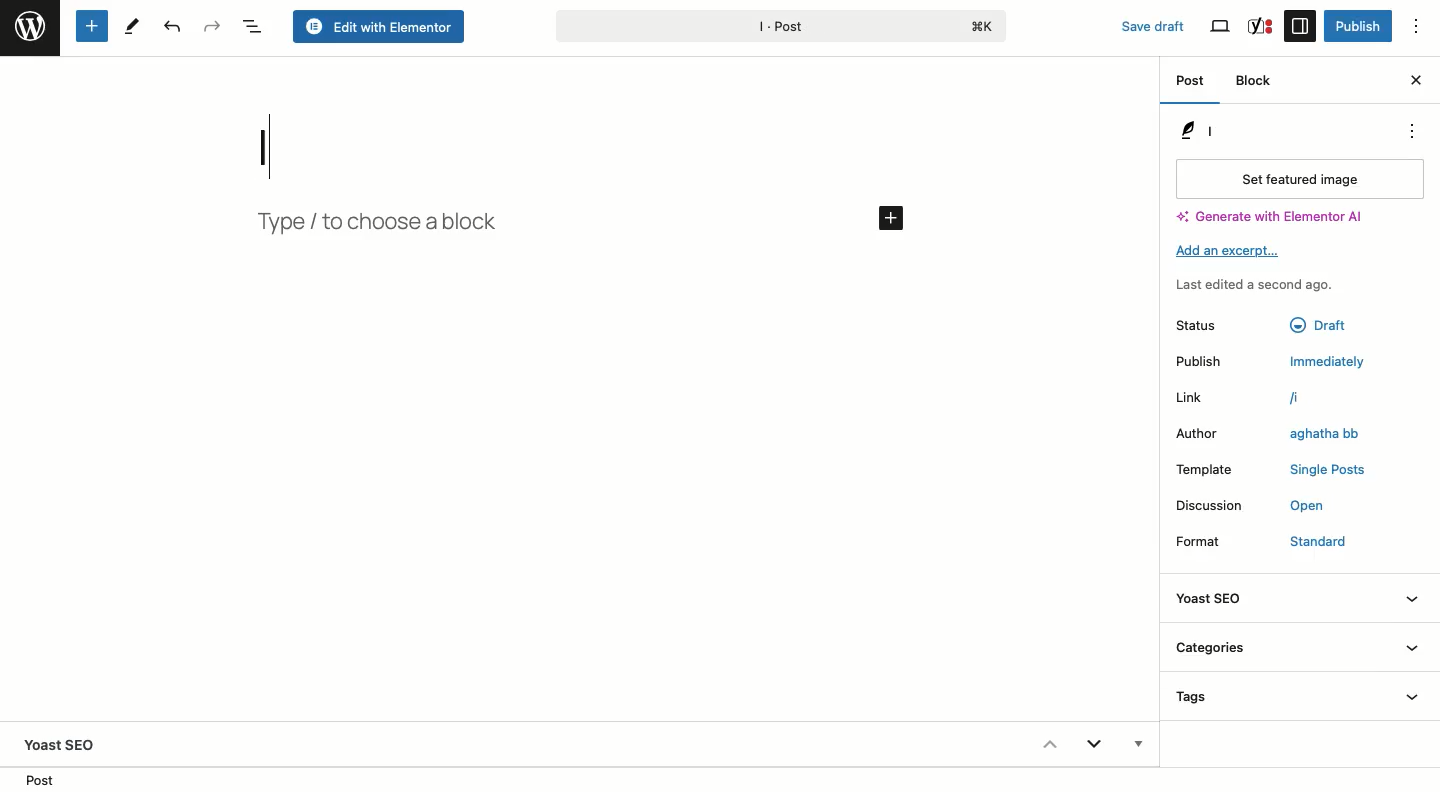  What do you see at coordinates (1297, 178) in the screenshot?
I see `Set featured image` at bounding box center [1297, 178].